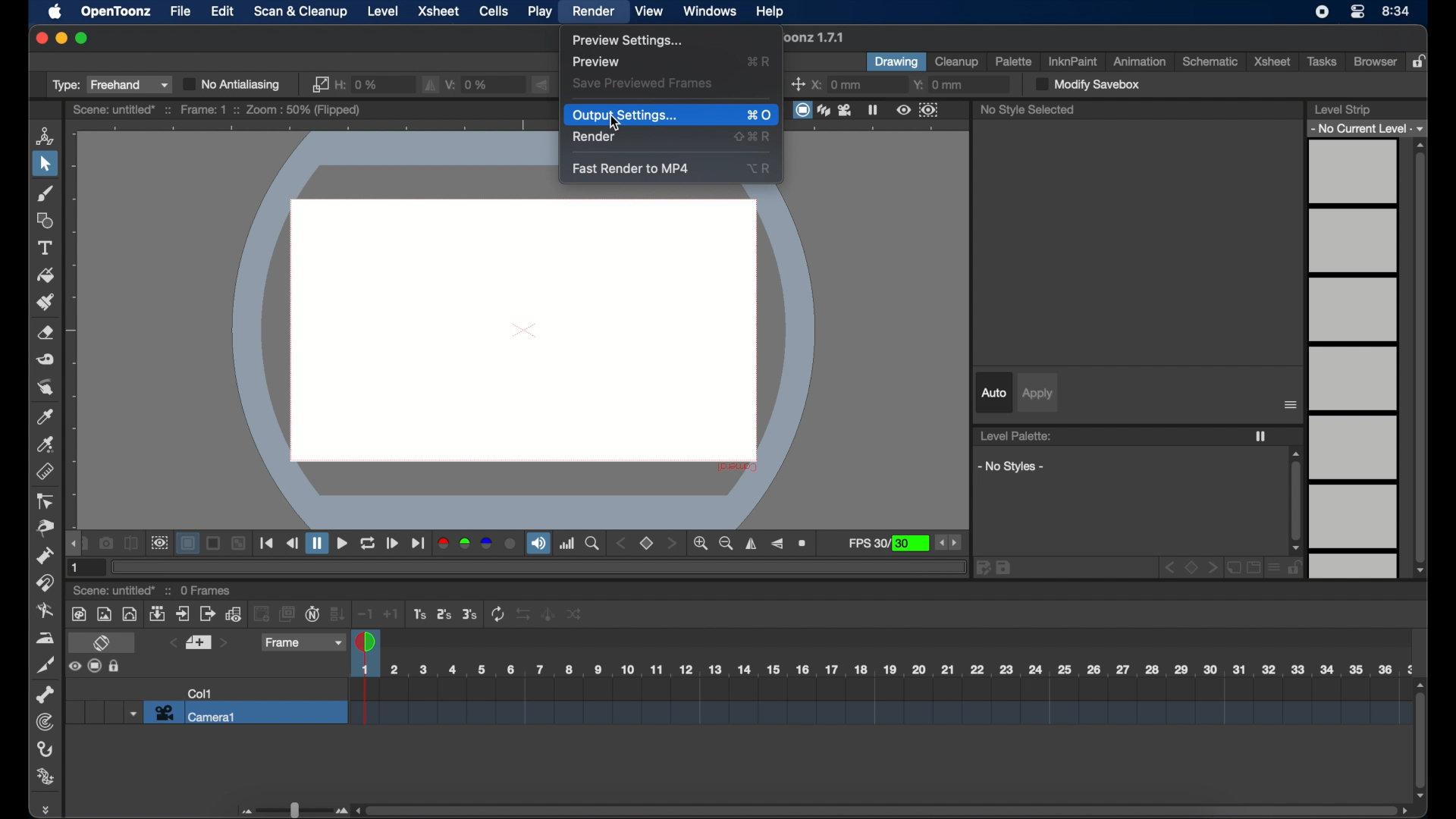 Image resolution: width=1456 pixels, height=819 pixels. I want to click on close, so click(40, 38).